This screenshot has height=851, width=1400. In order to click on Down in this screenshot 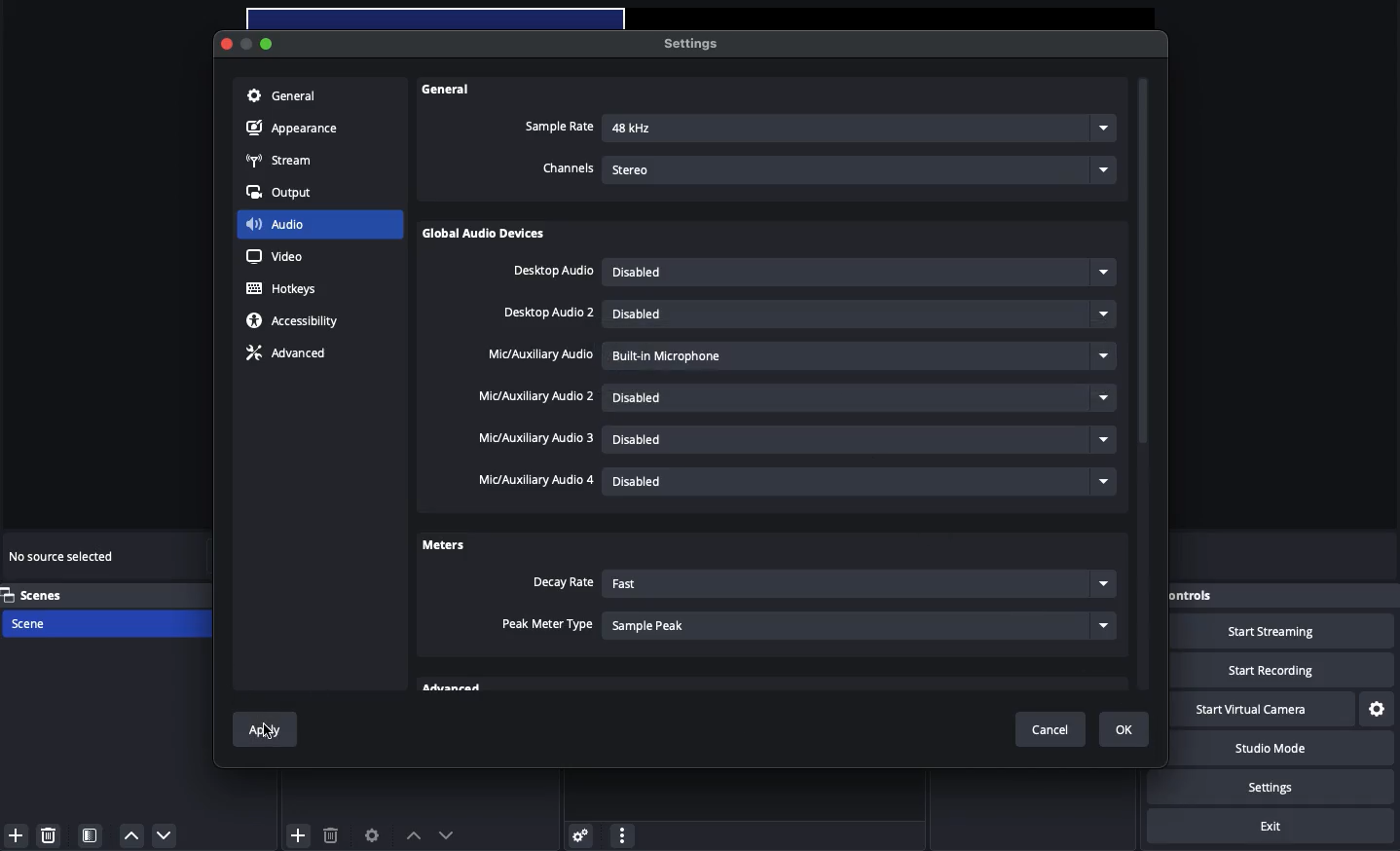, I will do `click(166, 834)`.